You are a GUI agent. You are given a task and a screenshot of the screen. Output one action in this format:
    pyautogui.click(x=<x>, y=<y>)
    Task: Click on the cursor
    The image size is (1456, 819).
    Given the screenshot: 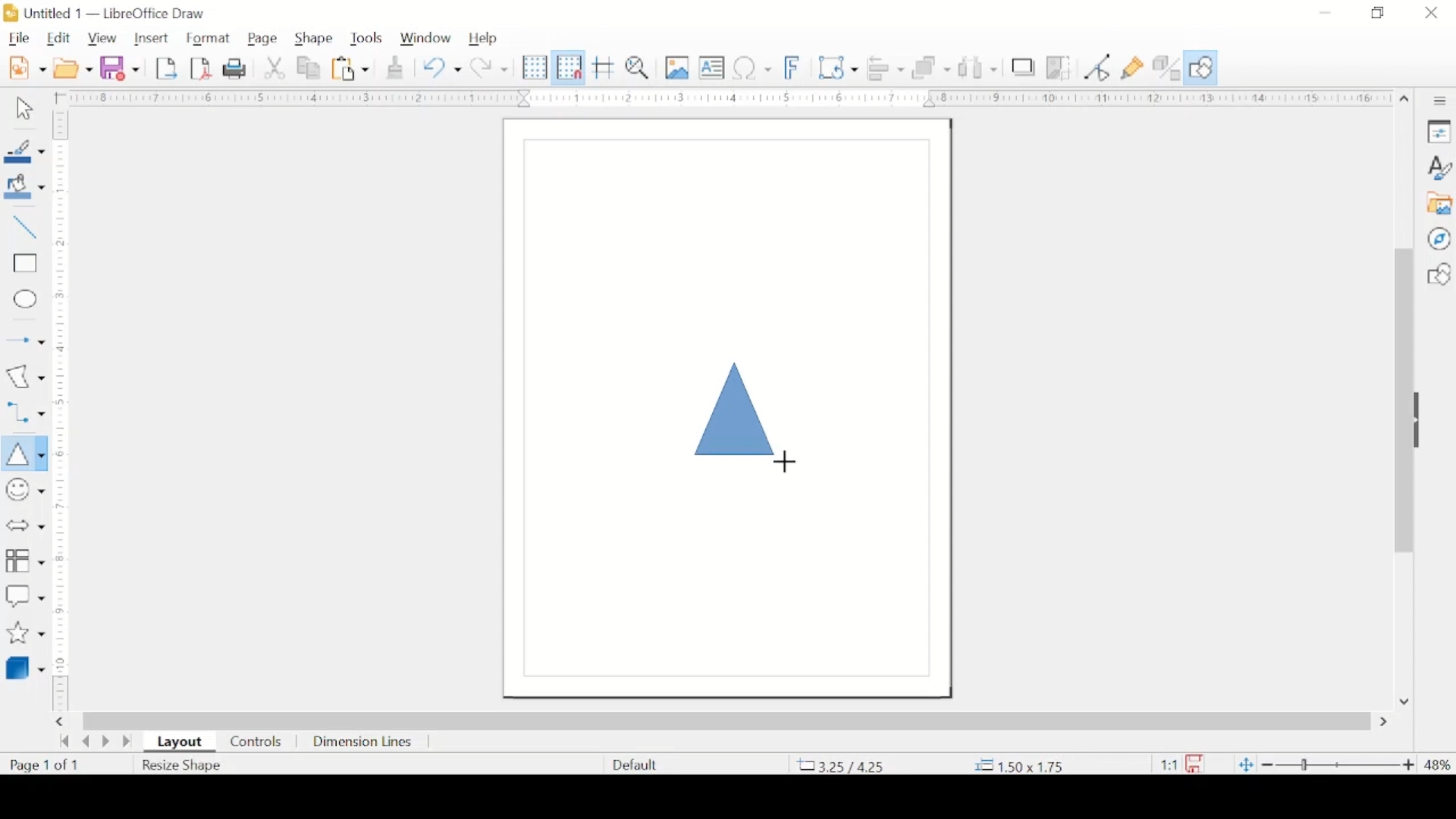 What is the action you would take?
    pyautogui.click(x=789, y=464)
    